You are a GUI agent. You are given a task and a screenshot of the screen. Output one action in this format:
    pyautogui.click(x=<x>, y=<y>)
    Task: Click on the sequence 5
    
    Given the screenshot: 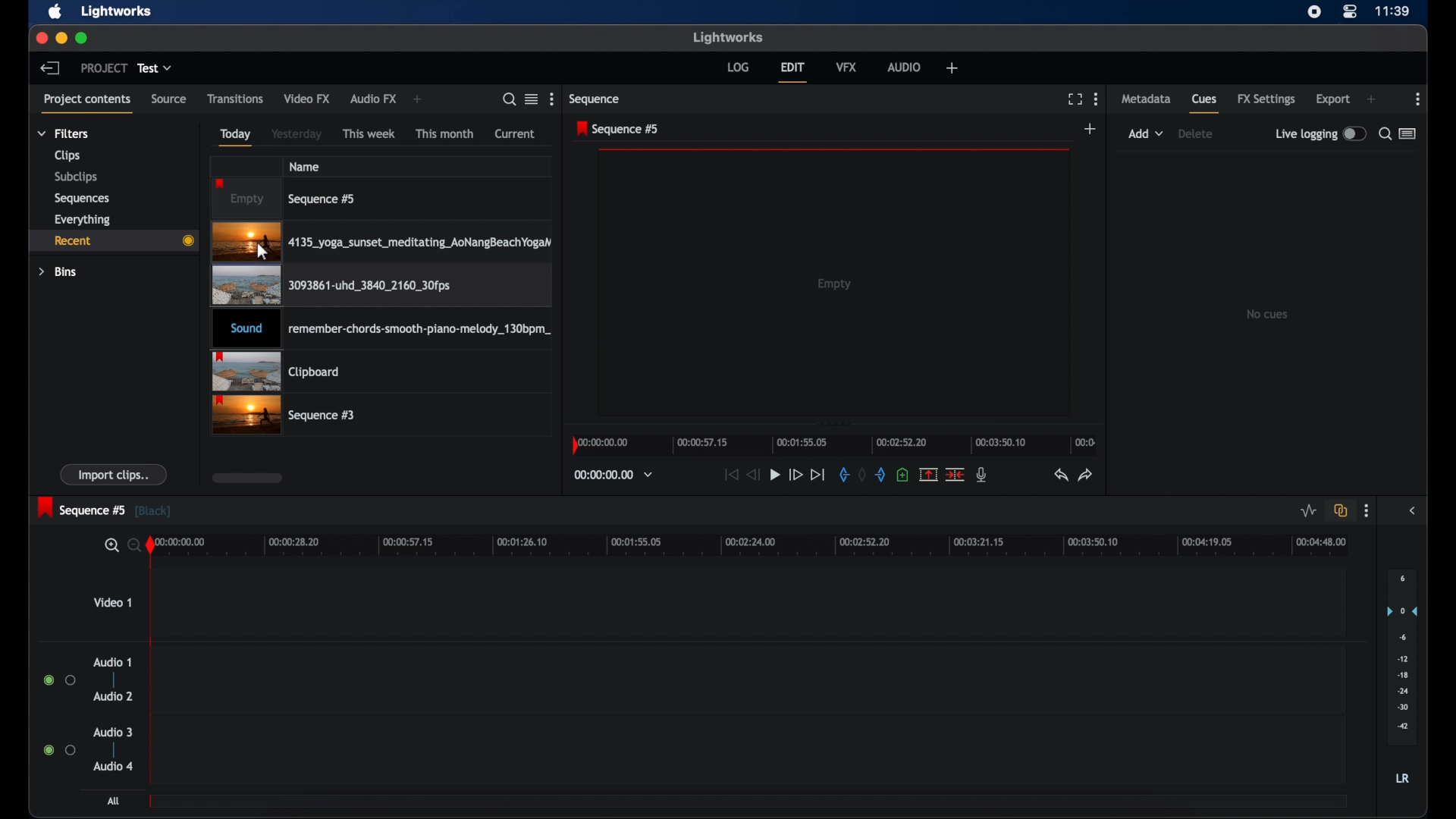 What is the action you would take?
    pyautogui.click(x=287, y=199)
    